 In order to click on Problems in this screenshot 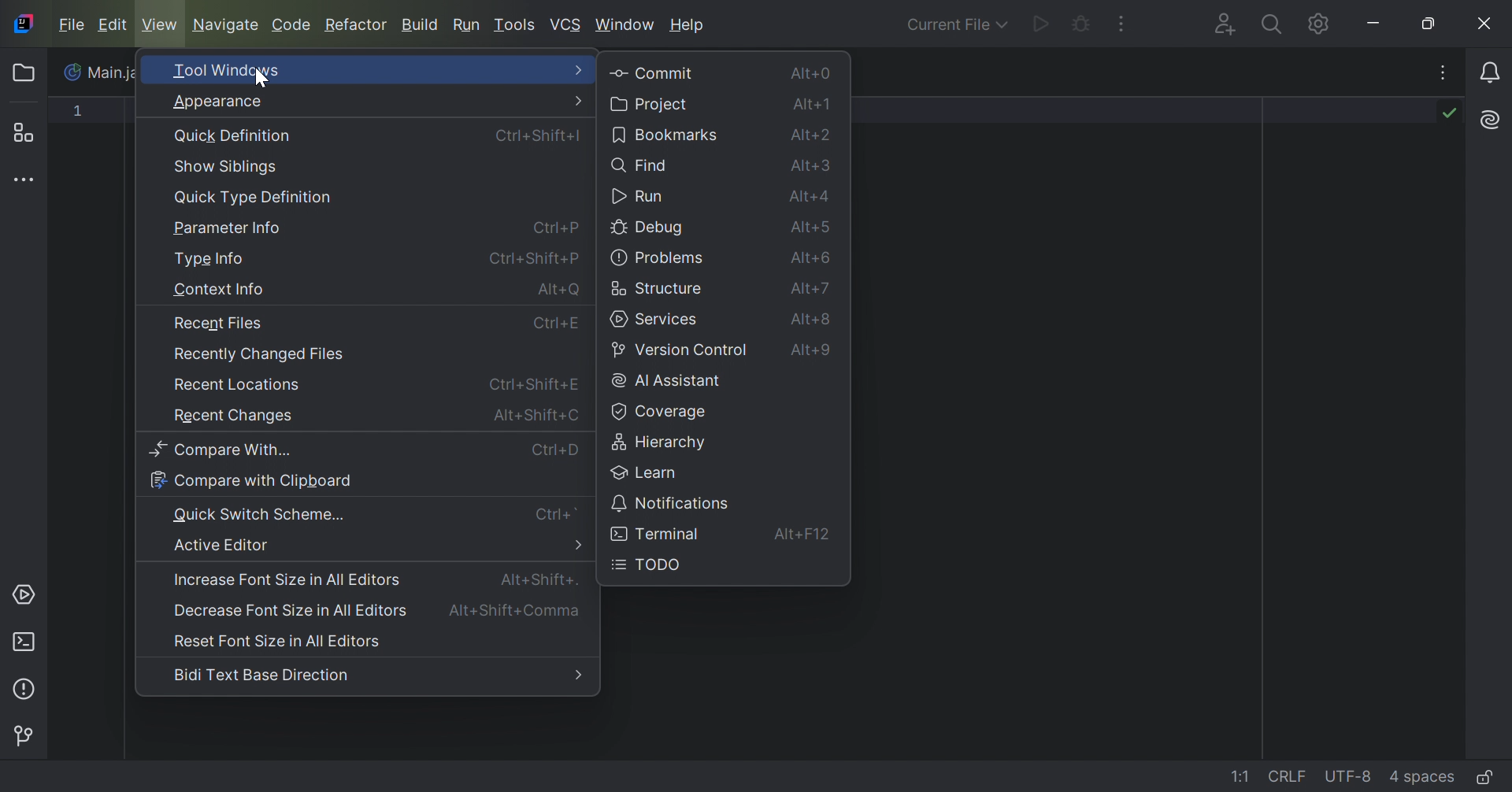, I will do `click(658, 258)`.